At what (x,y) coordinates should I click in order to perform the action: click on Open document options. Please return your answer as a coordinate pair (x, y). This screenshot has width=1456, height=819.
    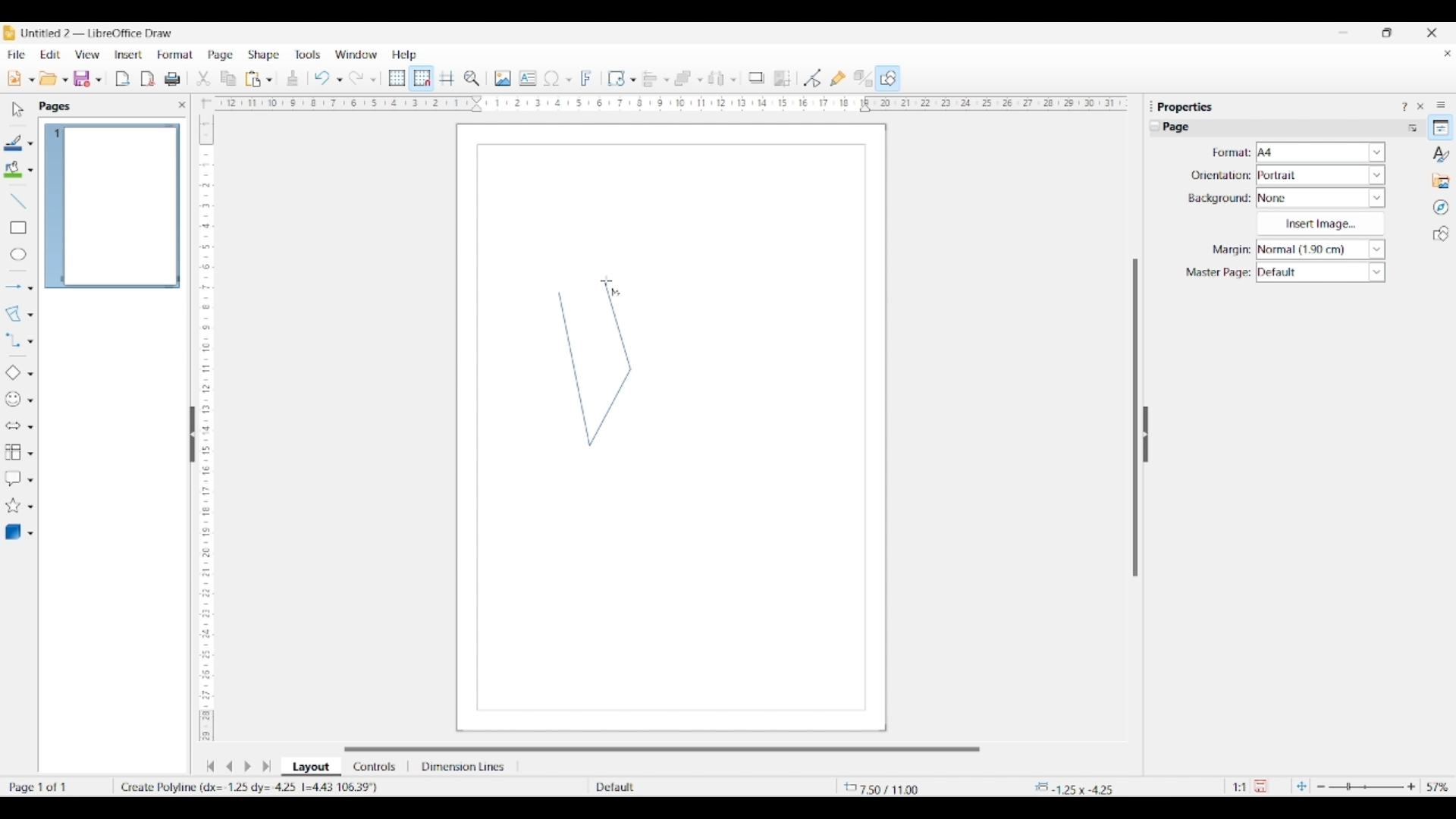
    Looking at the image, I should click on (64, 80).